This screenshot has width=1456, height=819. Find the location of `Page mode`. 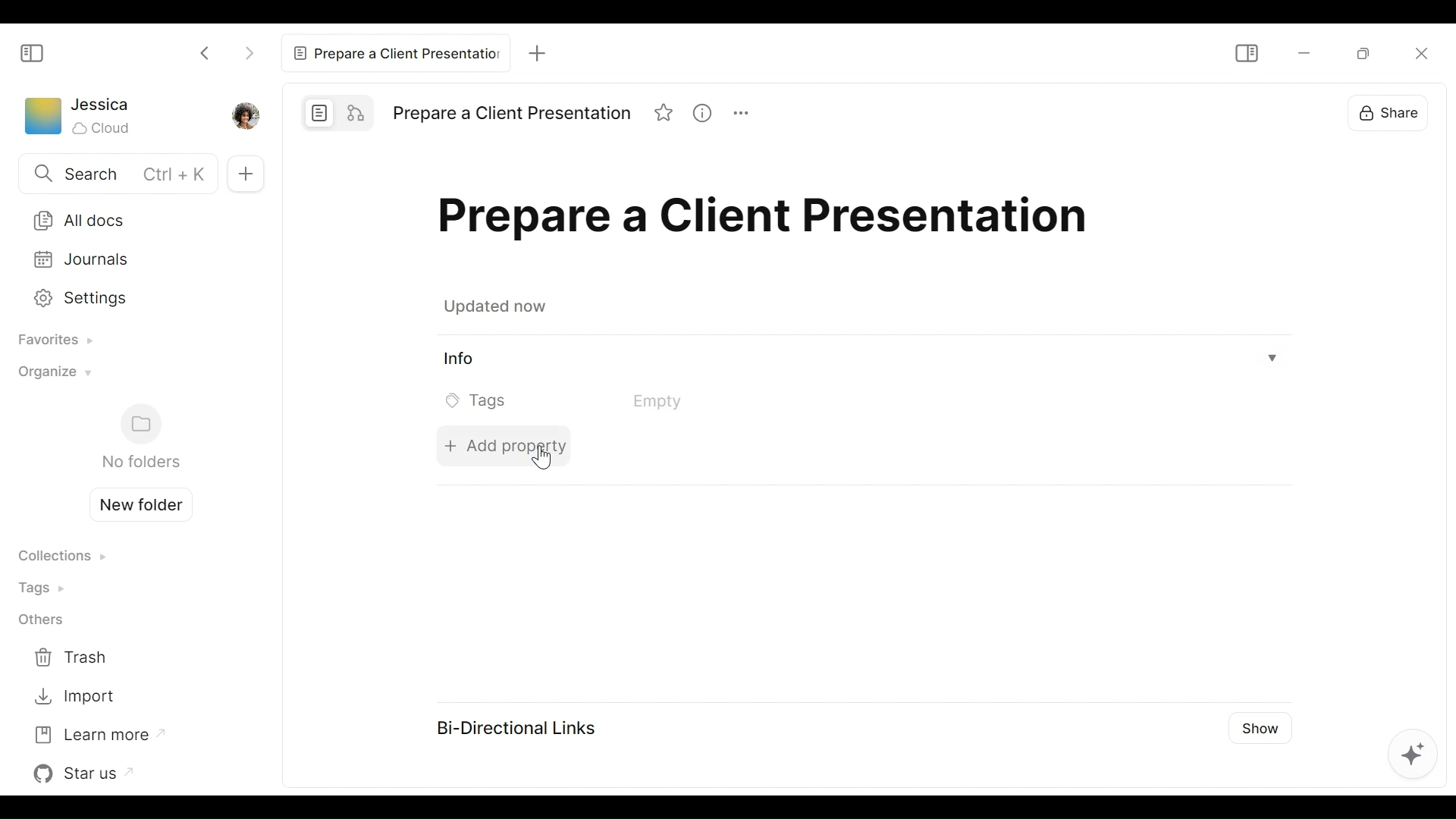

Page mode is located at coordinates (320, 112).